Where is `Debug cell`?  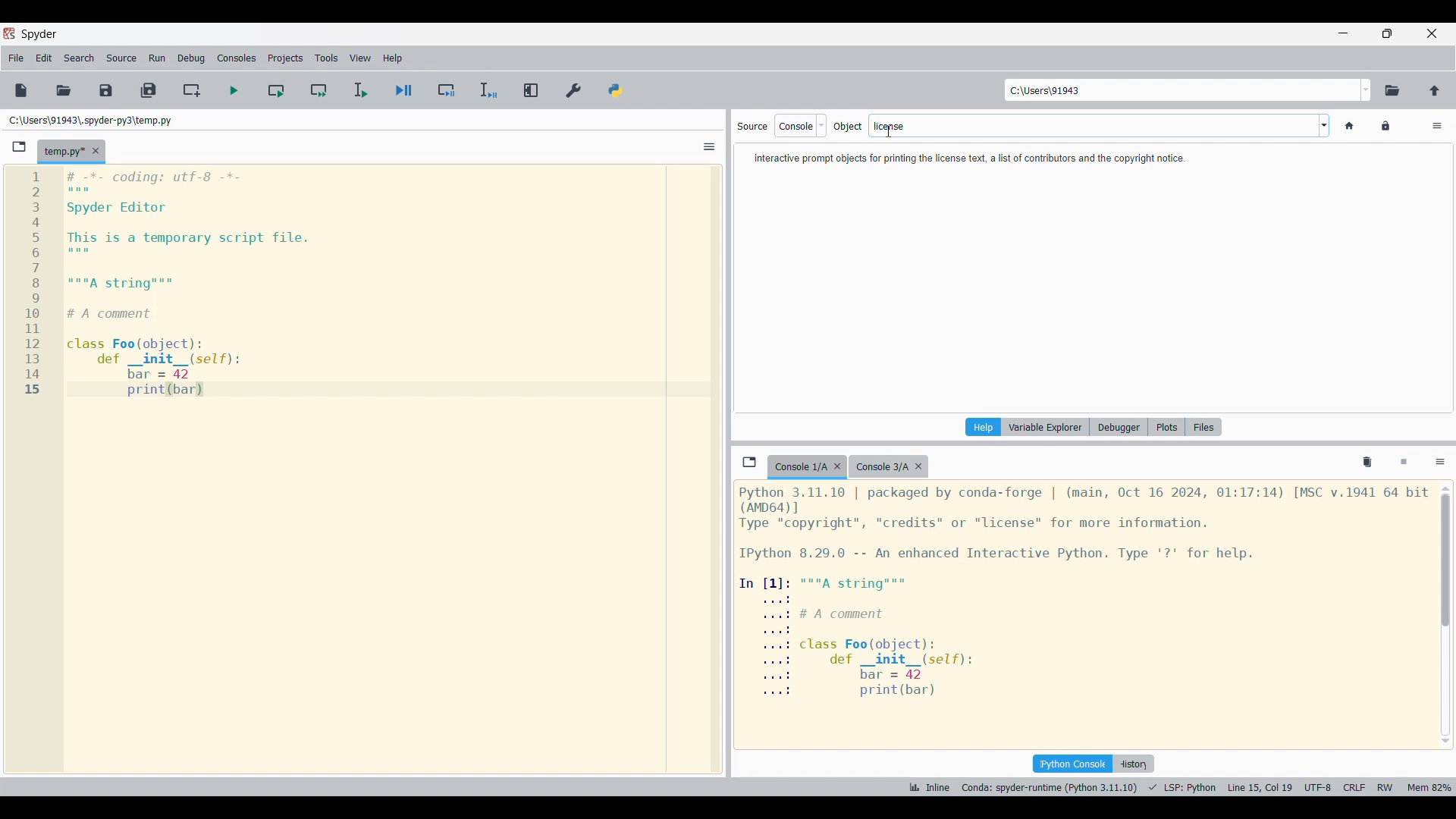
Debug cell is located at coordinates (447, 91).